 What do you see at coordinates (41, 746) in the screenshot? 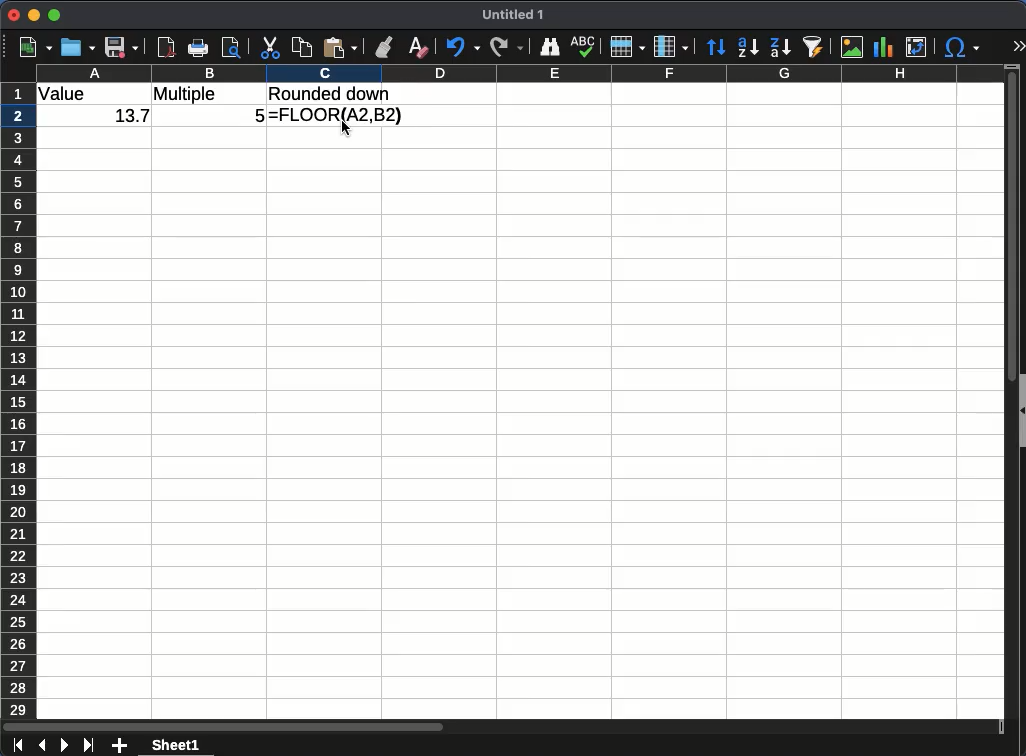
I see `previous sheet` at bounding box center [41, 746].